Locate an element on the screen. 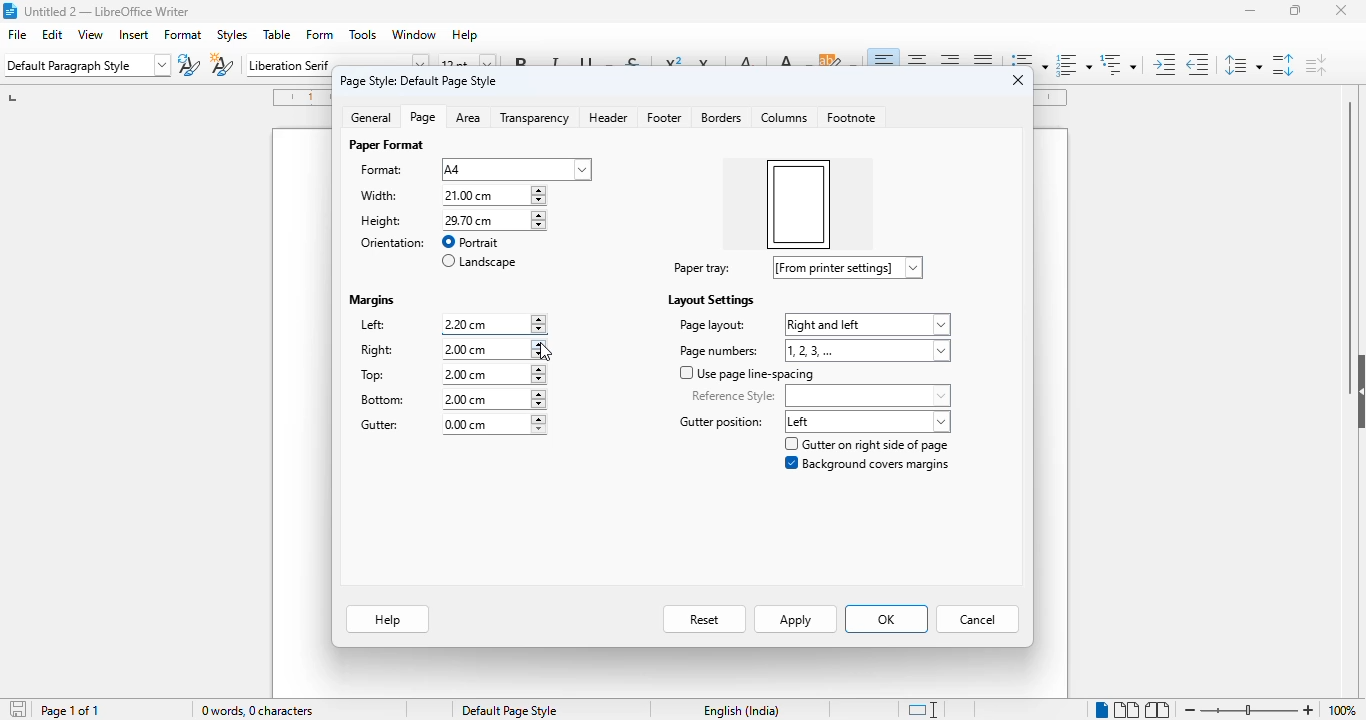 Image resolution: width=1366 pixels, height=720 pixels. height: 29.70 cm is located at coordinates (384, 220).